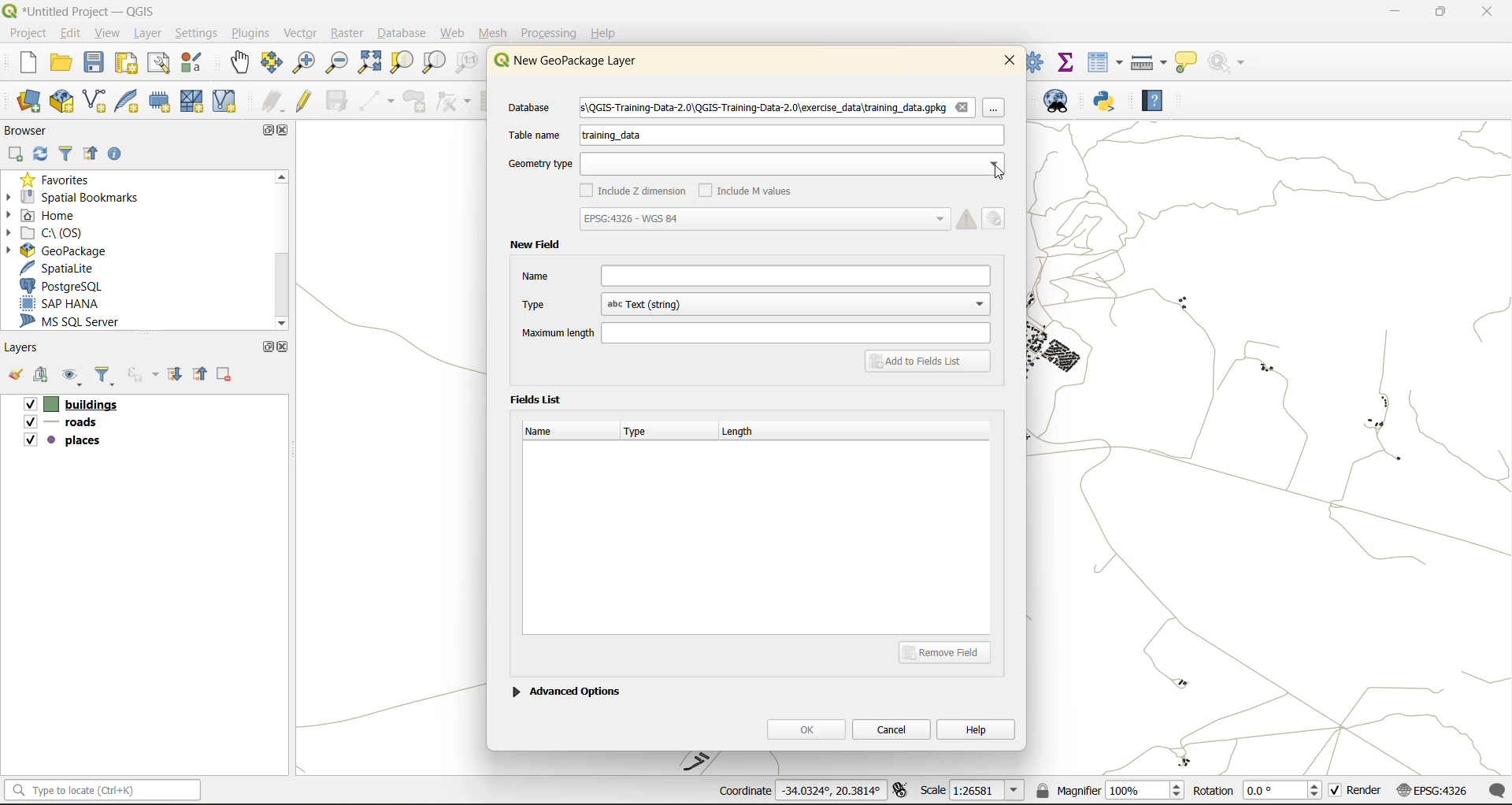 The height and width of the screenshot is (805, 1512). Describe the element at coordinates (636, 192) in the screenshot. I see `include z dimension` at that location.